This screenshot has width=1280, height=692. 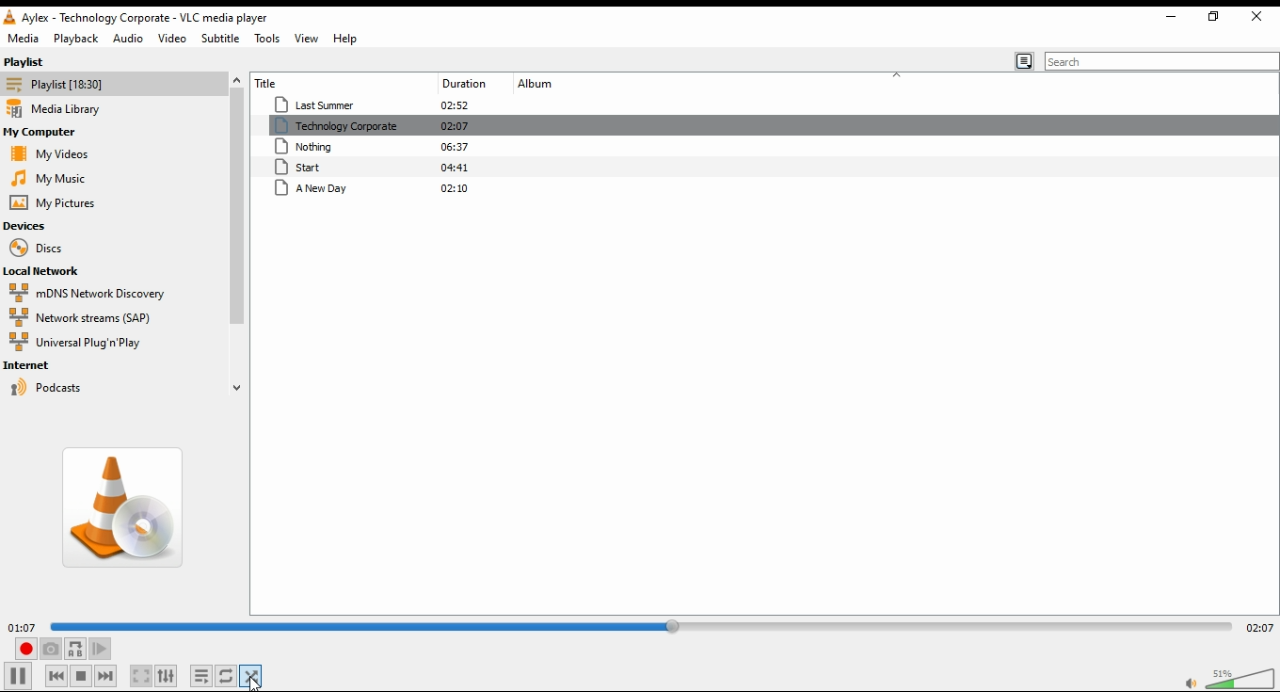 I want to click on select between loop all, loop one, and no loop, so click(x=226, y=676).